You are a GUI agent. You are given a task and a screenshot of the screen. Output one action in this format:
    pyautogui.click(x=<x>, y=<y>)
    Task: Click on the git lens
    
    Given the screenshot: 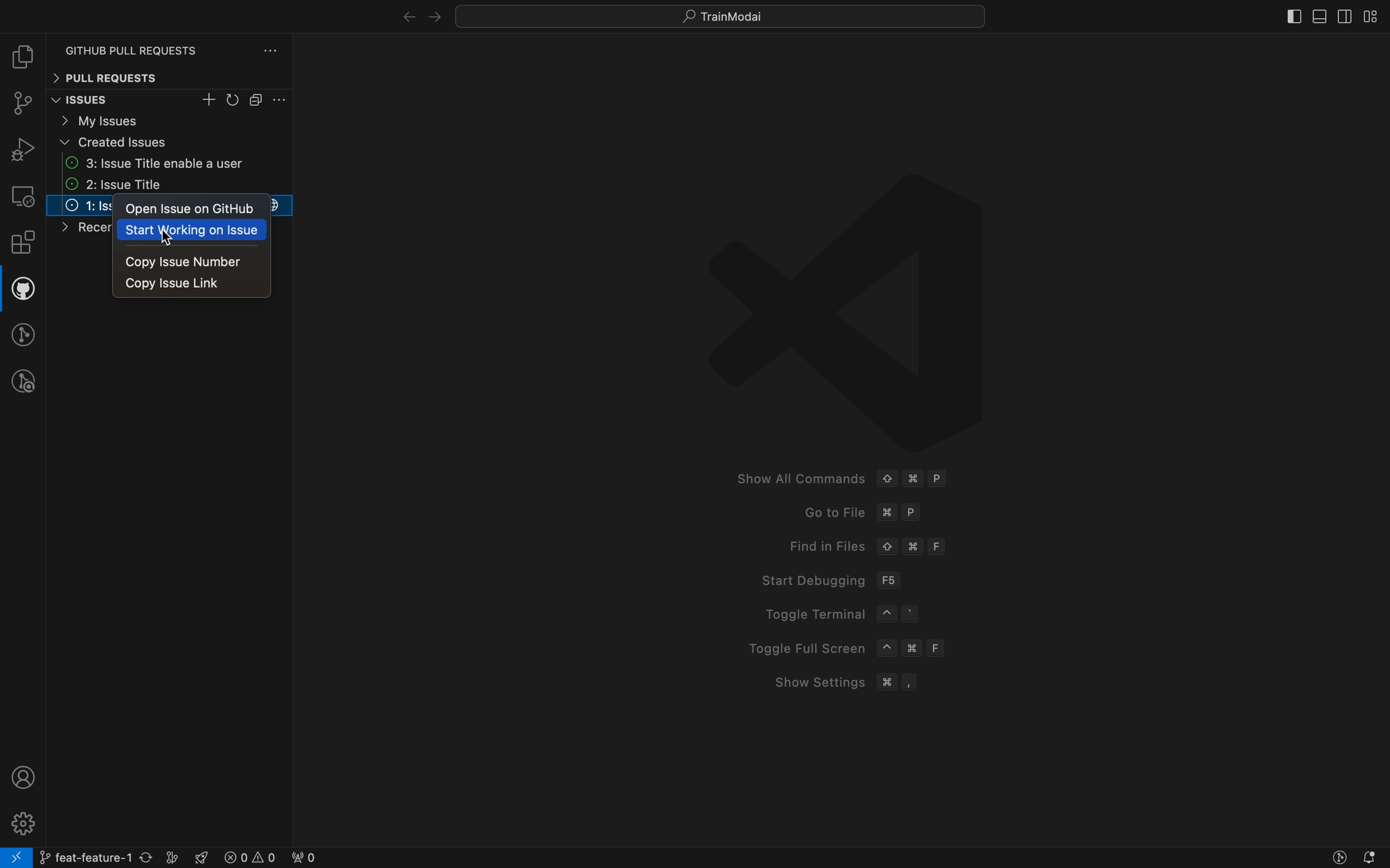 What is the action you would take?
    pyautogui.click(x=1340, y=858)
    